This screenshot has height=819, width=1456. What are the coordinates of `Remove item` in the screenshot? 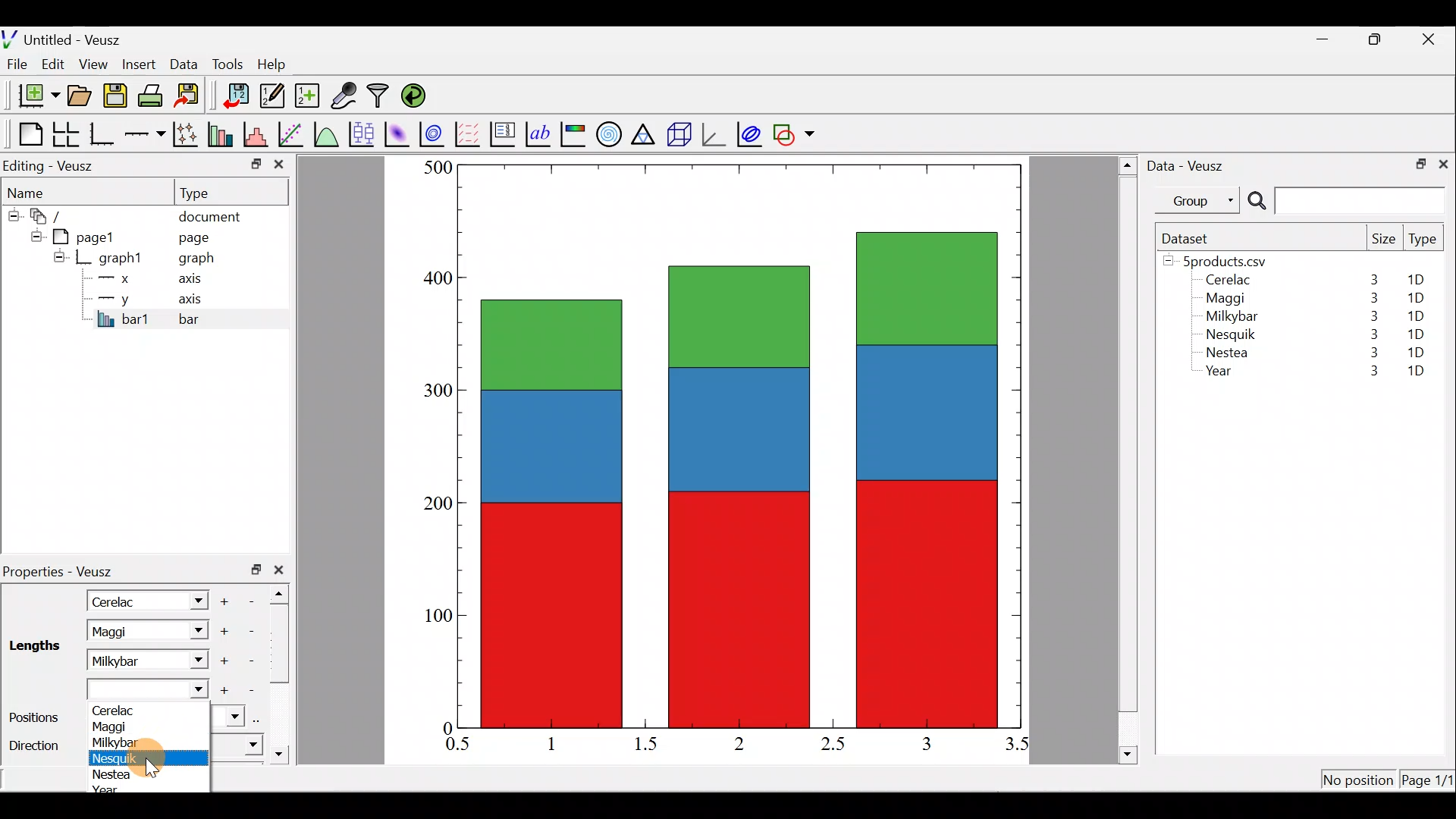 It's located at (252, 660).